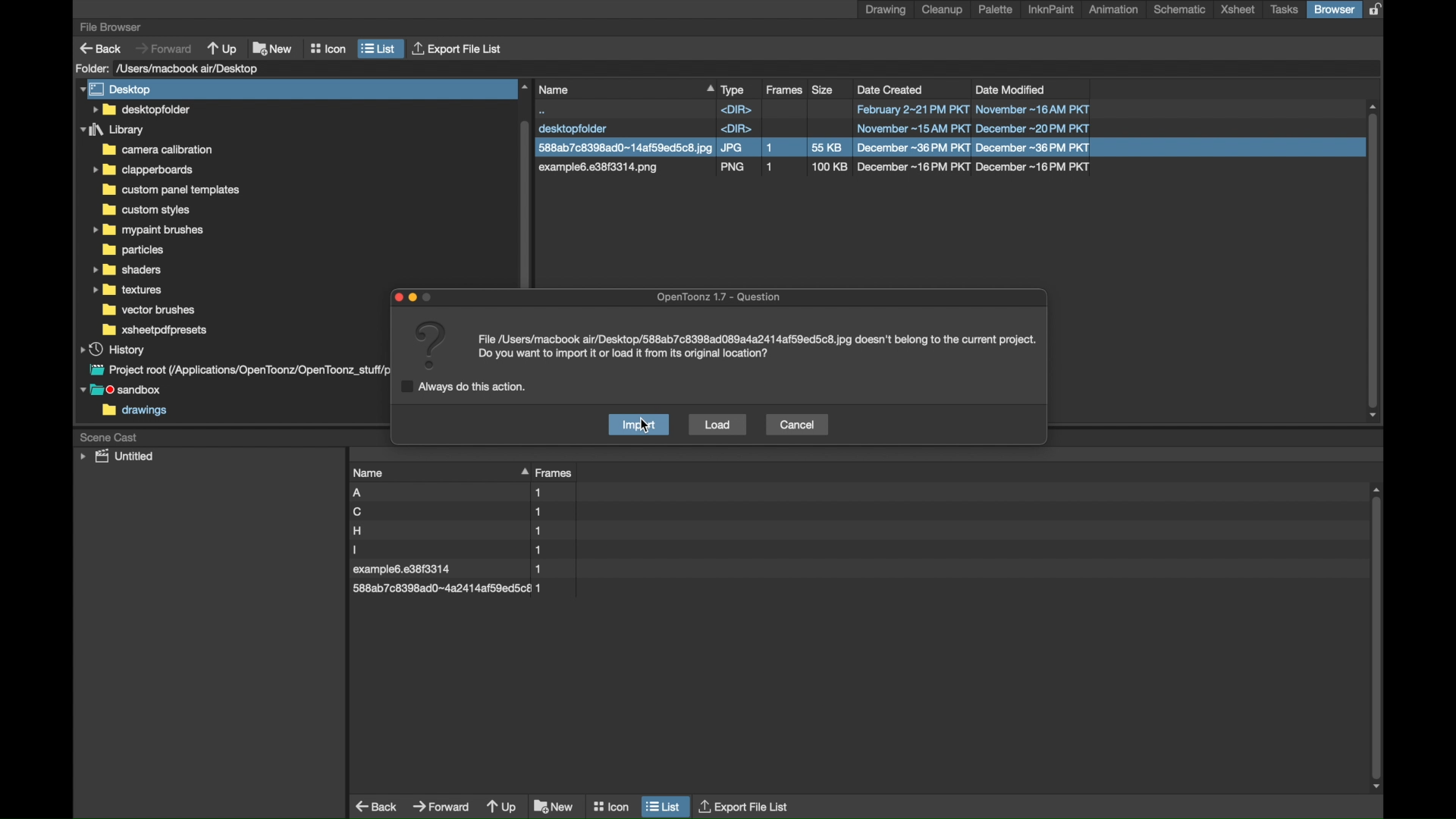 The image size is (1456, 819). What do you see at coordinates (449, 550) in the screenshot?
I see `file` at bounding box center [449, 550].